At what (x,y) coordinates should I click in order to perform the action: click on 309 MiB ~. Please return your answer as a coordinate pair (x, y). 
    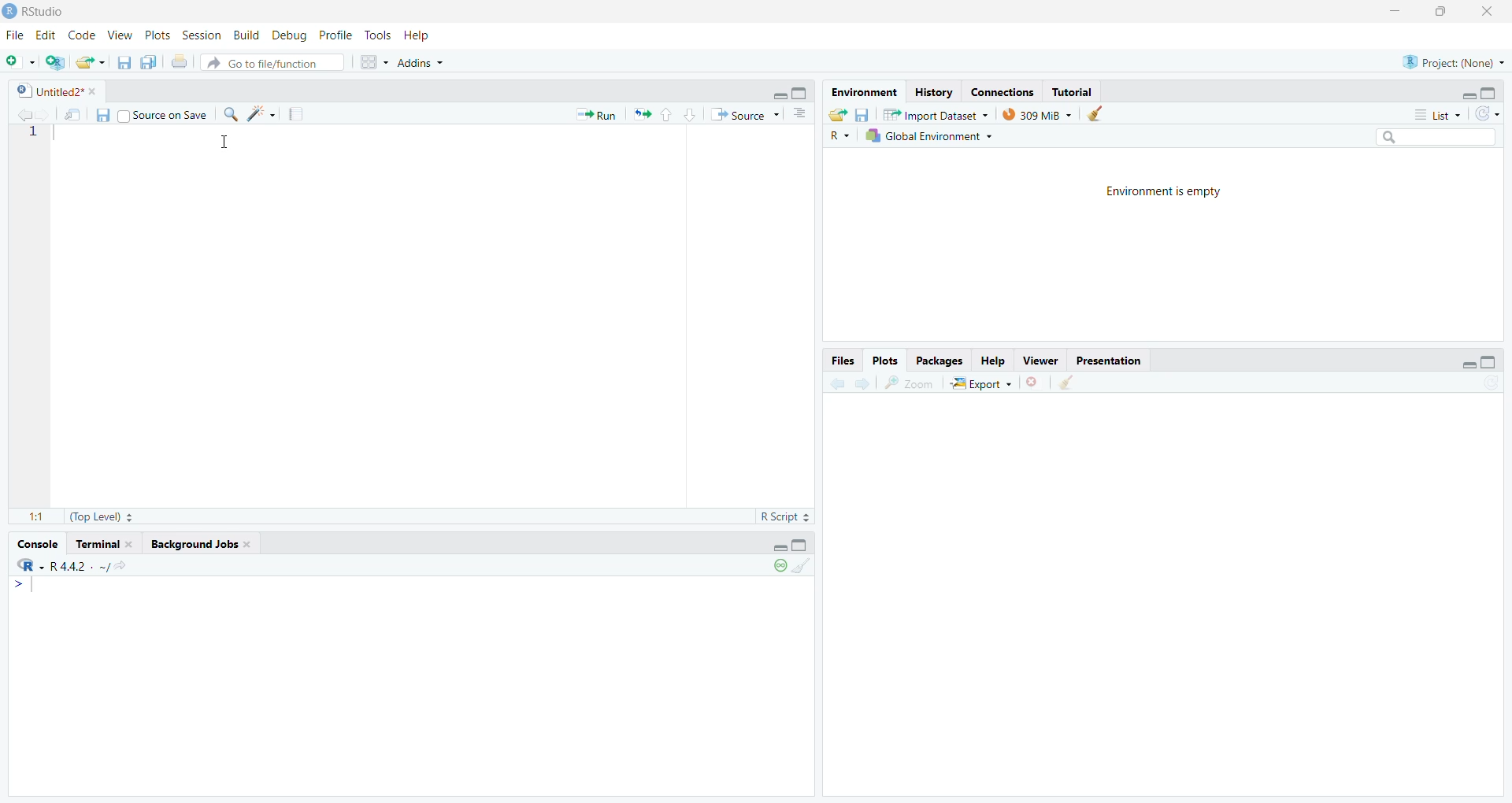
    Looking at the image, I should click on (1039, 113).